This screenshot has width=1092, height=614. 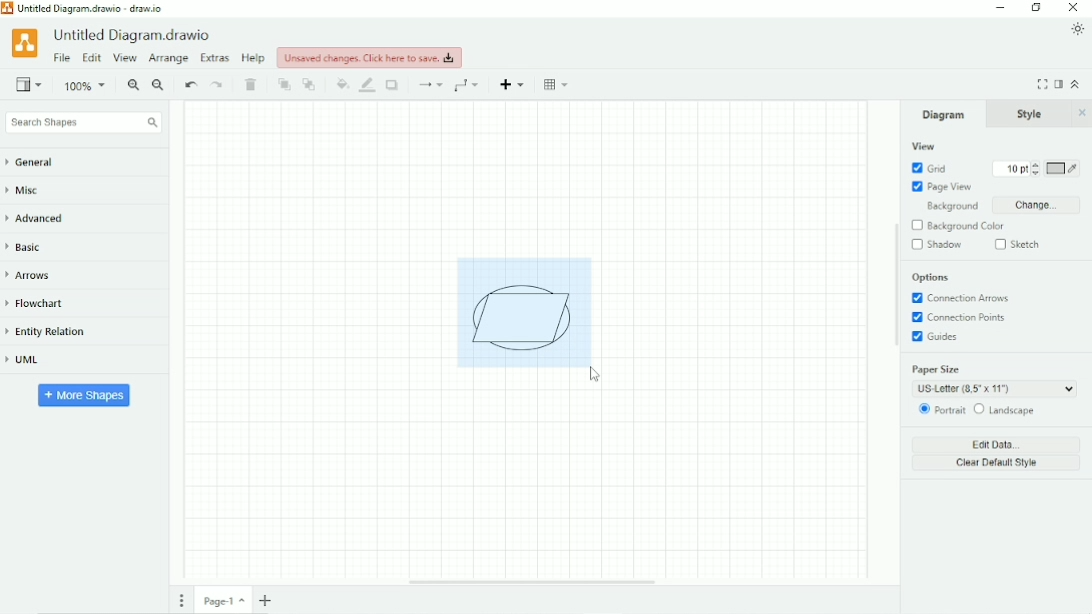 What do you see at coordinates (85, 394) in the screenshot?
I see `More shapes` at bounding box center [85, 394].